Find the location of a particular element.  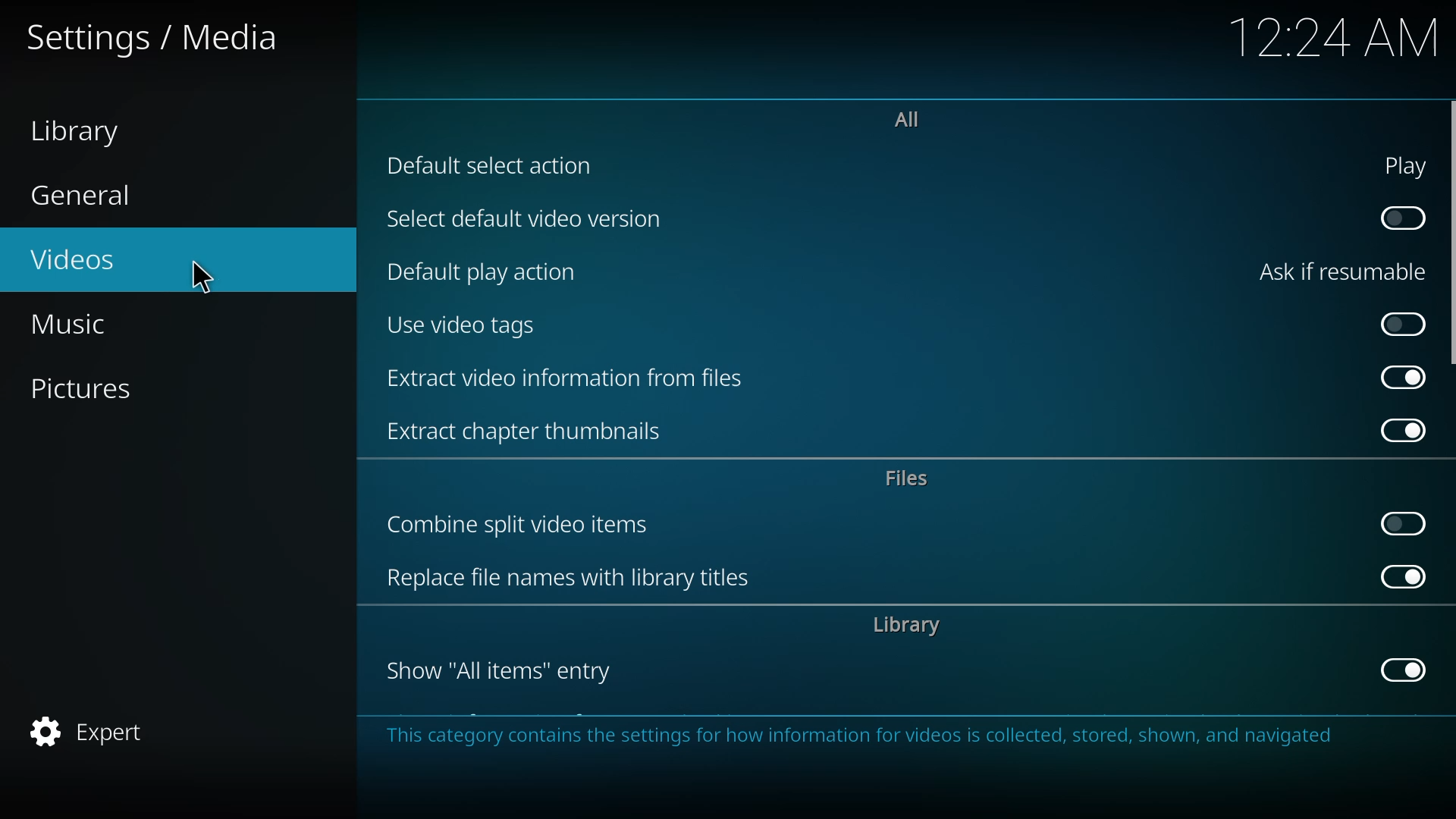

time is located at coordinates (1338, 35).